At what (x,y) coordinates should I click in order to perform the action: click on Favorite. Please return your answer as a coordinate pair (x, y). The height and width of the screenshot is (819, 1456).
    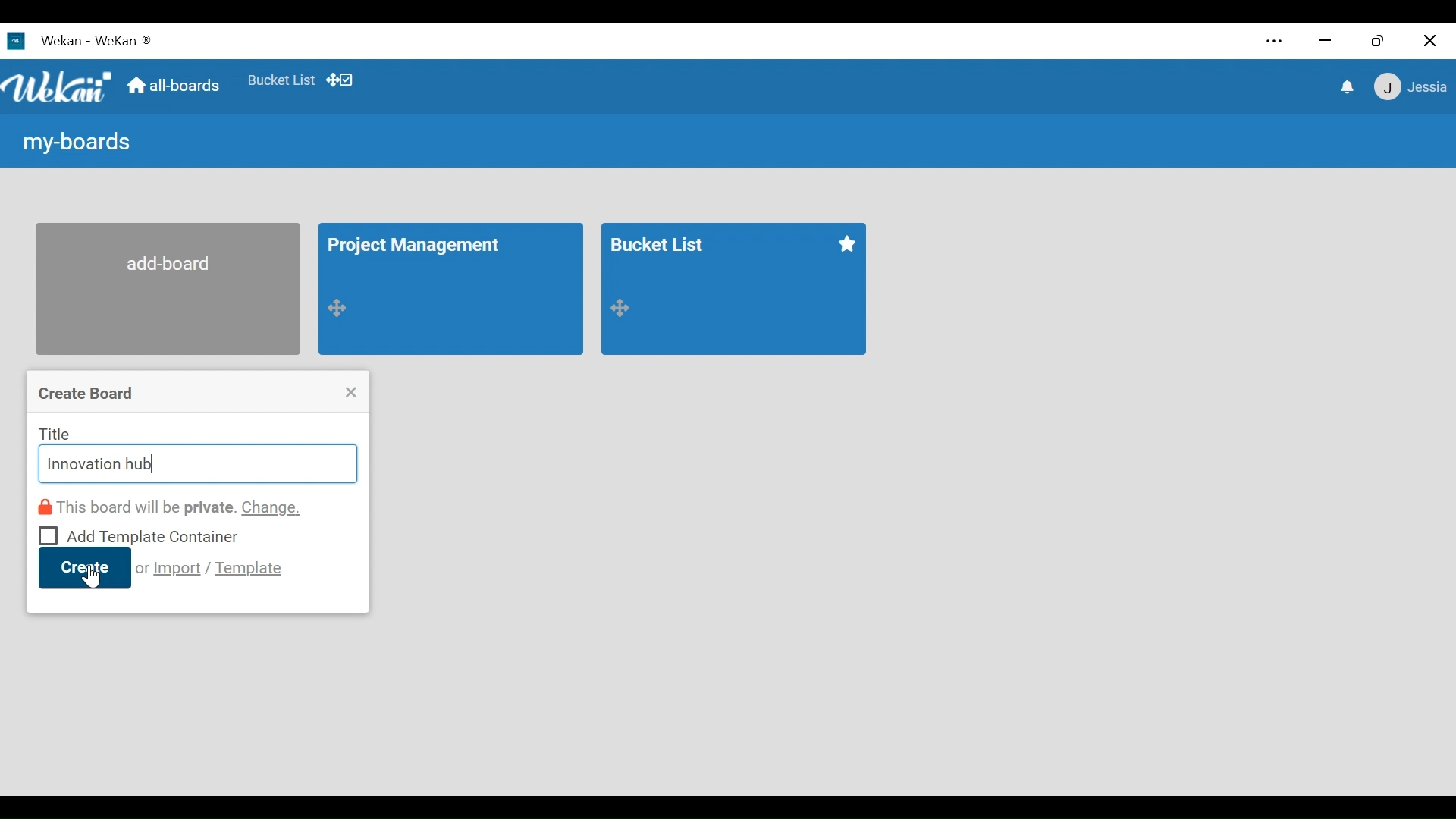
    Looking at the image, I should click on (846, 244).